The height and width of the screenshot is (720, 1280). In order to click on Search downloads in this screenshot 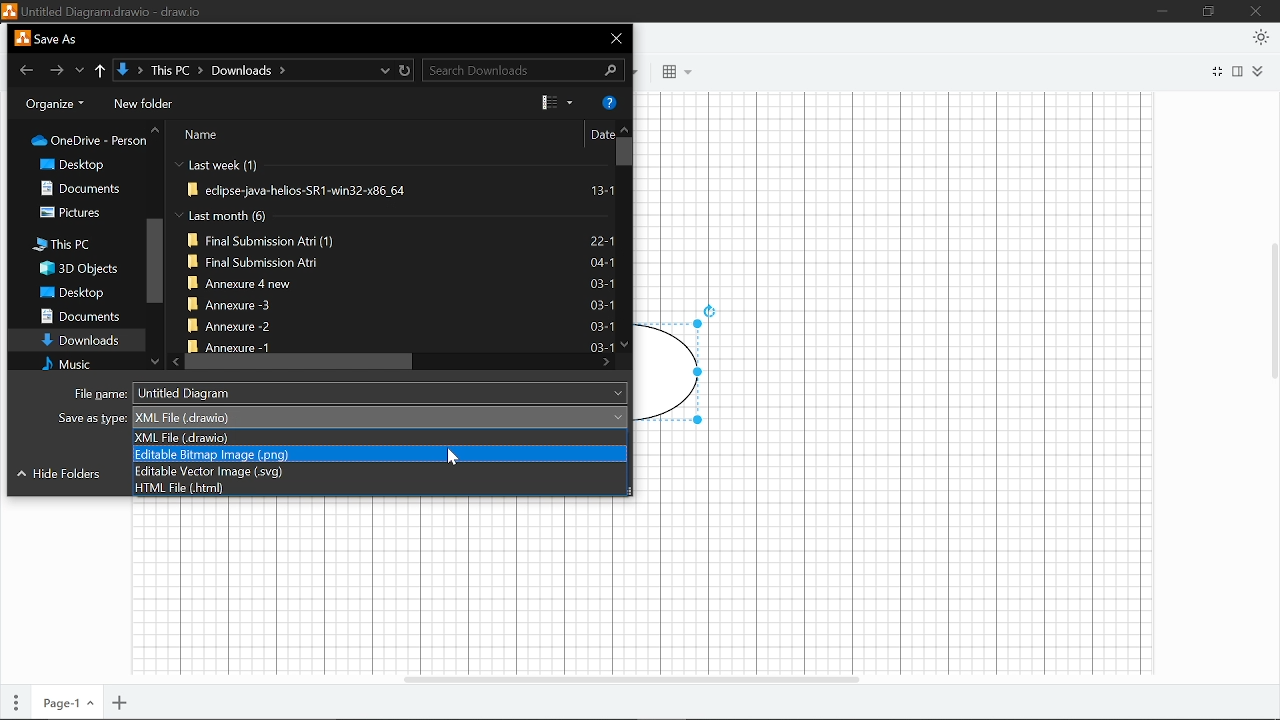, I will do `click(526, 70)`.